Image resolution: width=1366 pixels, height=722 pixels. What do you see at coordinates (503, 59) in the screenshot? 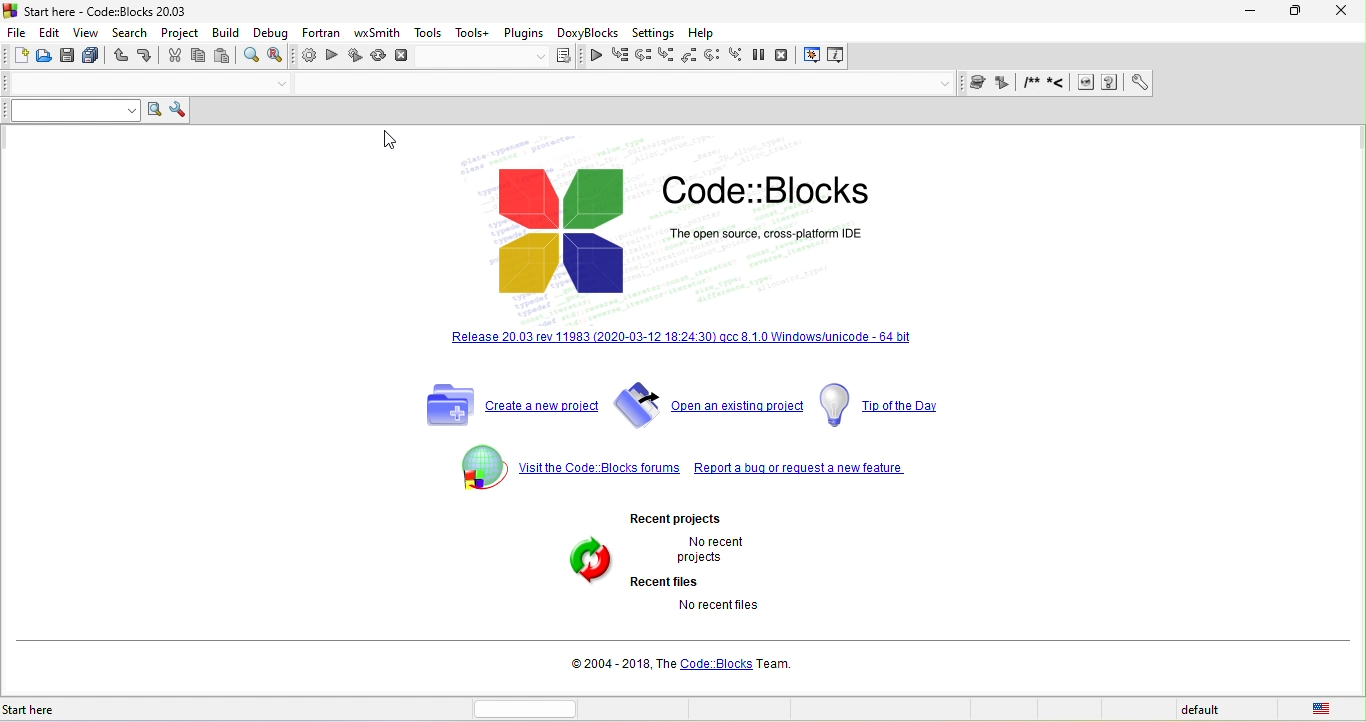
I see `select target dialogue` at bounding box center [503, 59].